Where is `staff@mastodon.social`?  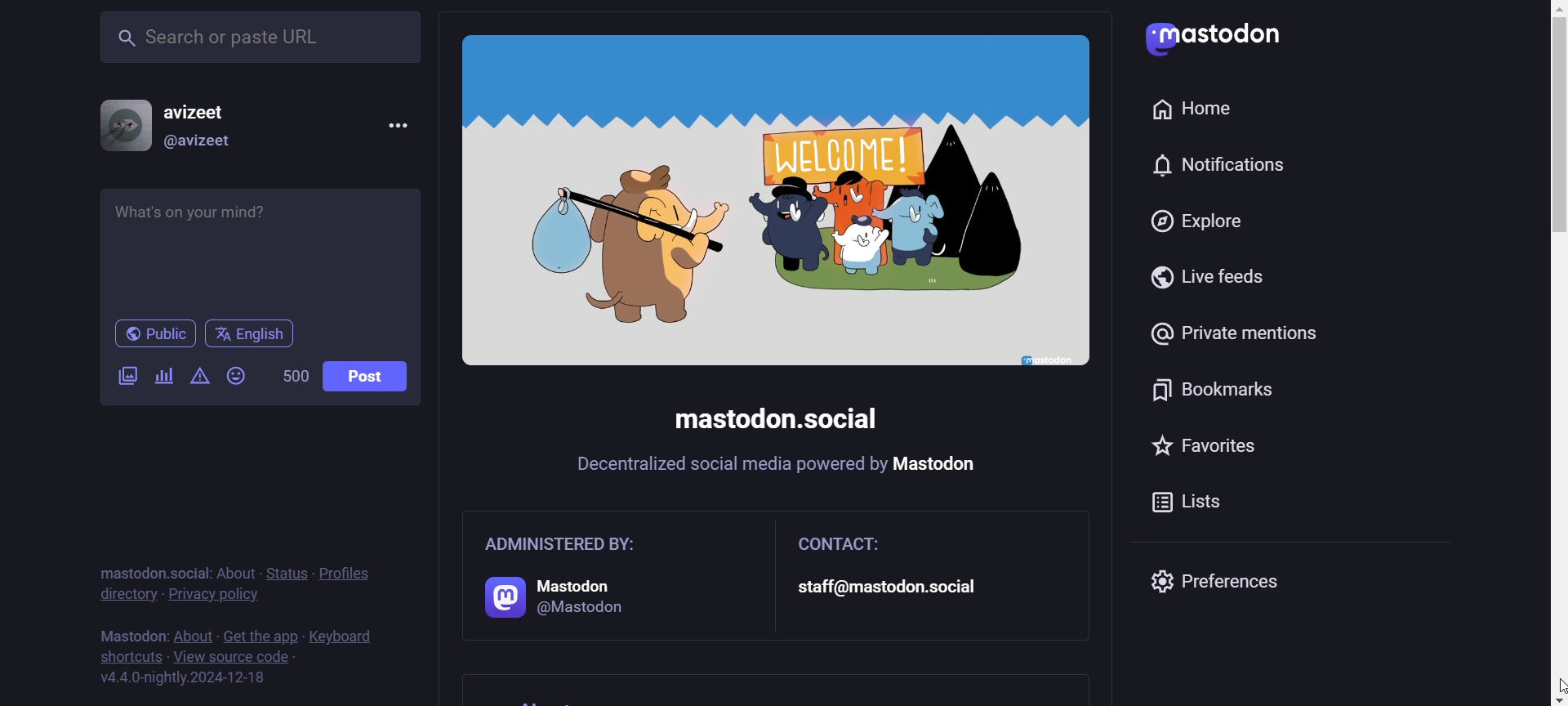 staff@mastodon.social is located at coordinates (897, 586).